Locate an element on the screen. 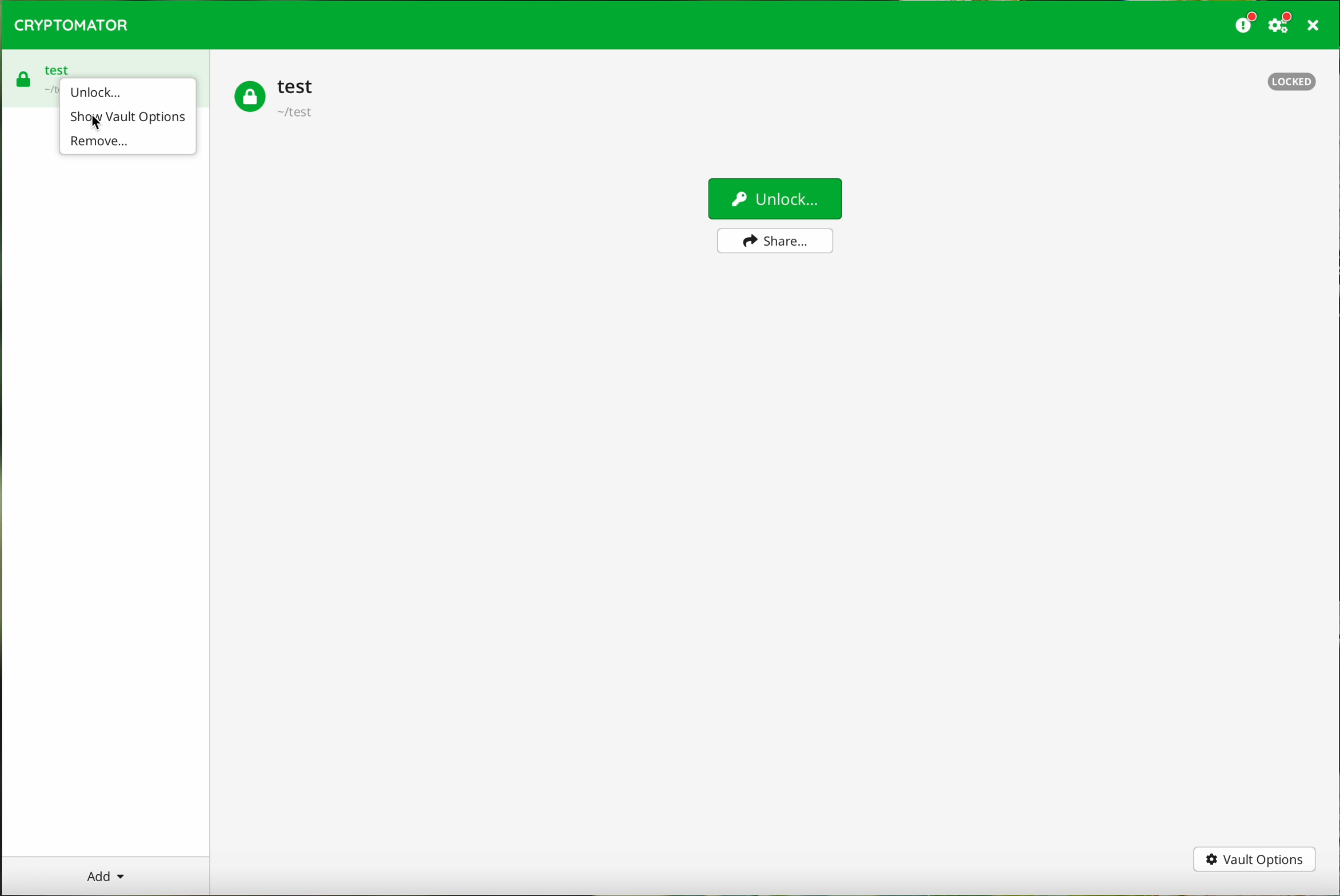 The height and width of the screenshot is (896, 1340). vault options is located at coordinates (1254, 860).